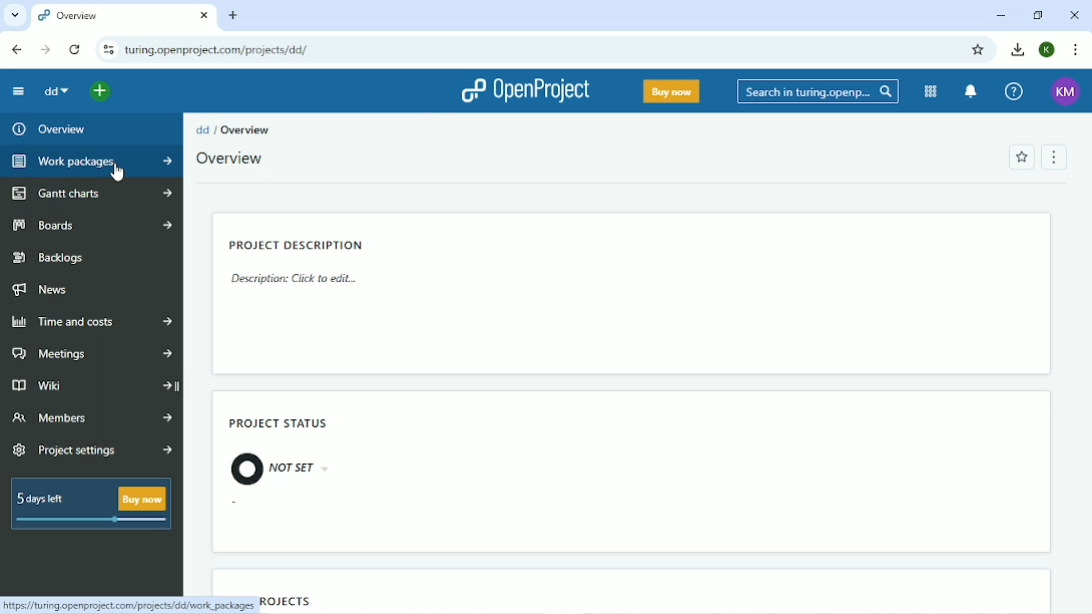 This screenshot has width=1092, height=614. I want to click on Restore down, so click(1039, 15).